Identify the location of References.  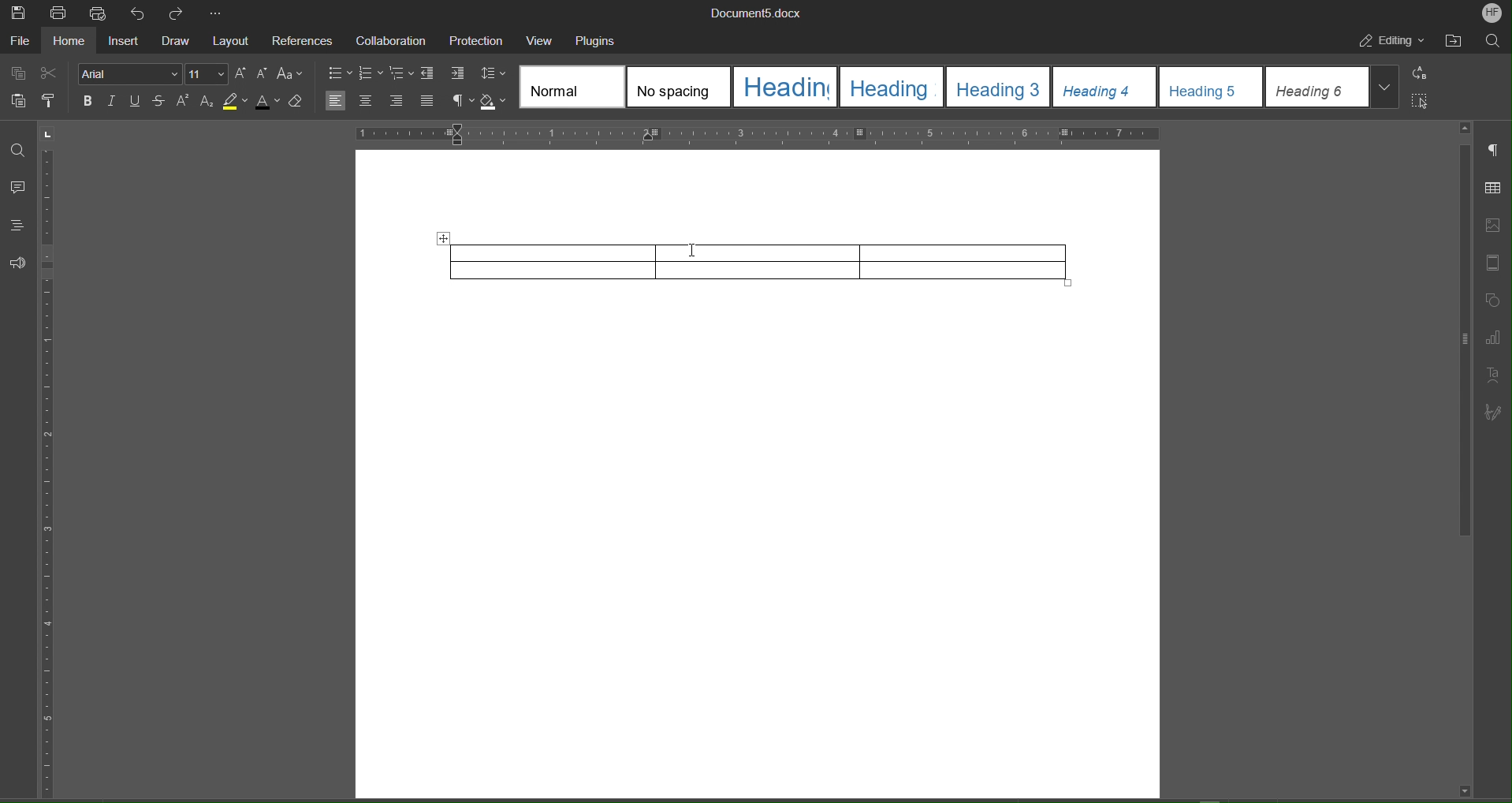
(303, 43).